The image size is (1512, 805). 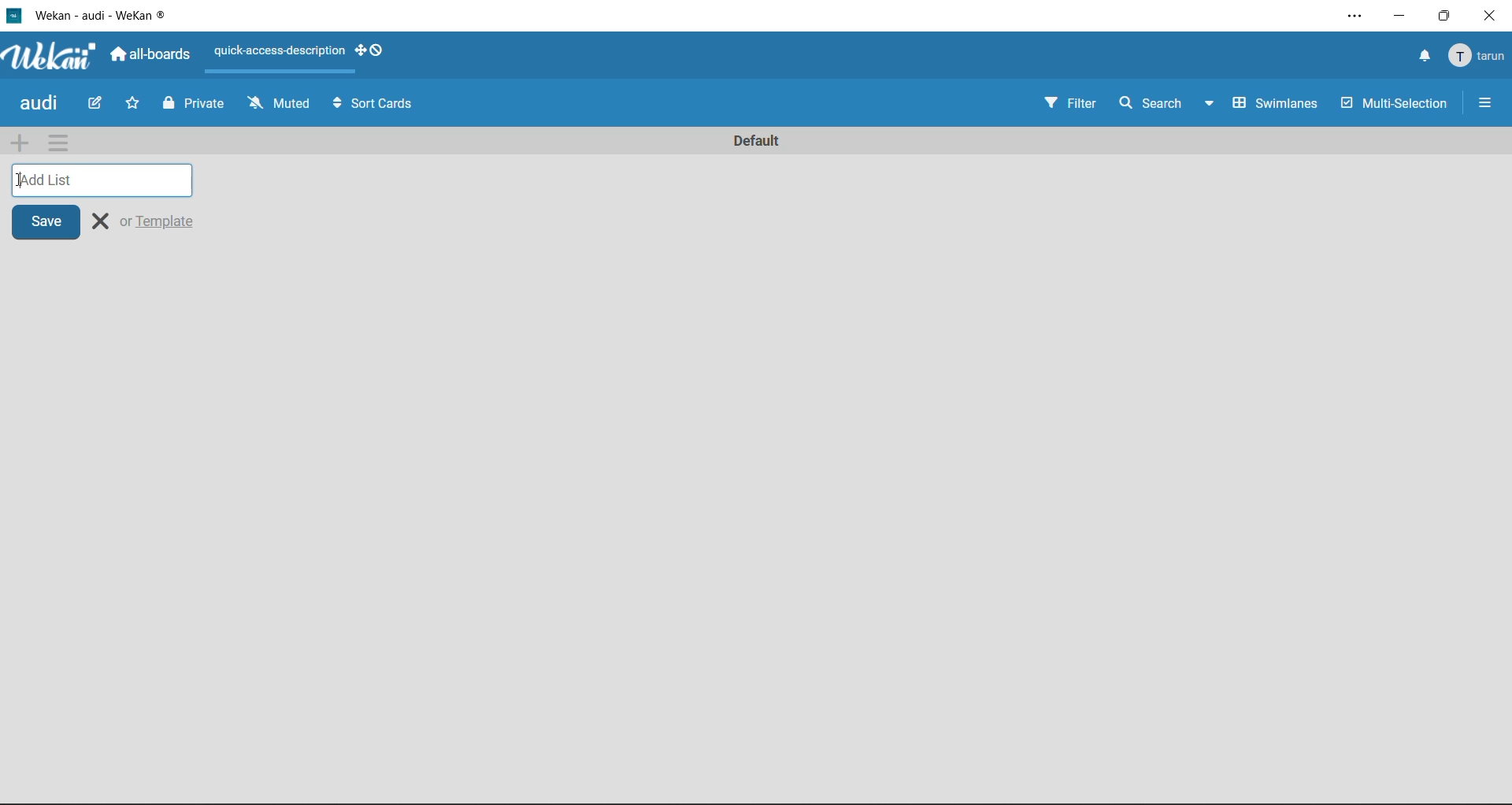 I want to click on Down-arrow, so click(x=1209, y=104).